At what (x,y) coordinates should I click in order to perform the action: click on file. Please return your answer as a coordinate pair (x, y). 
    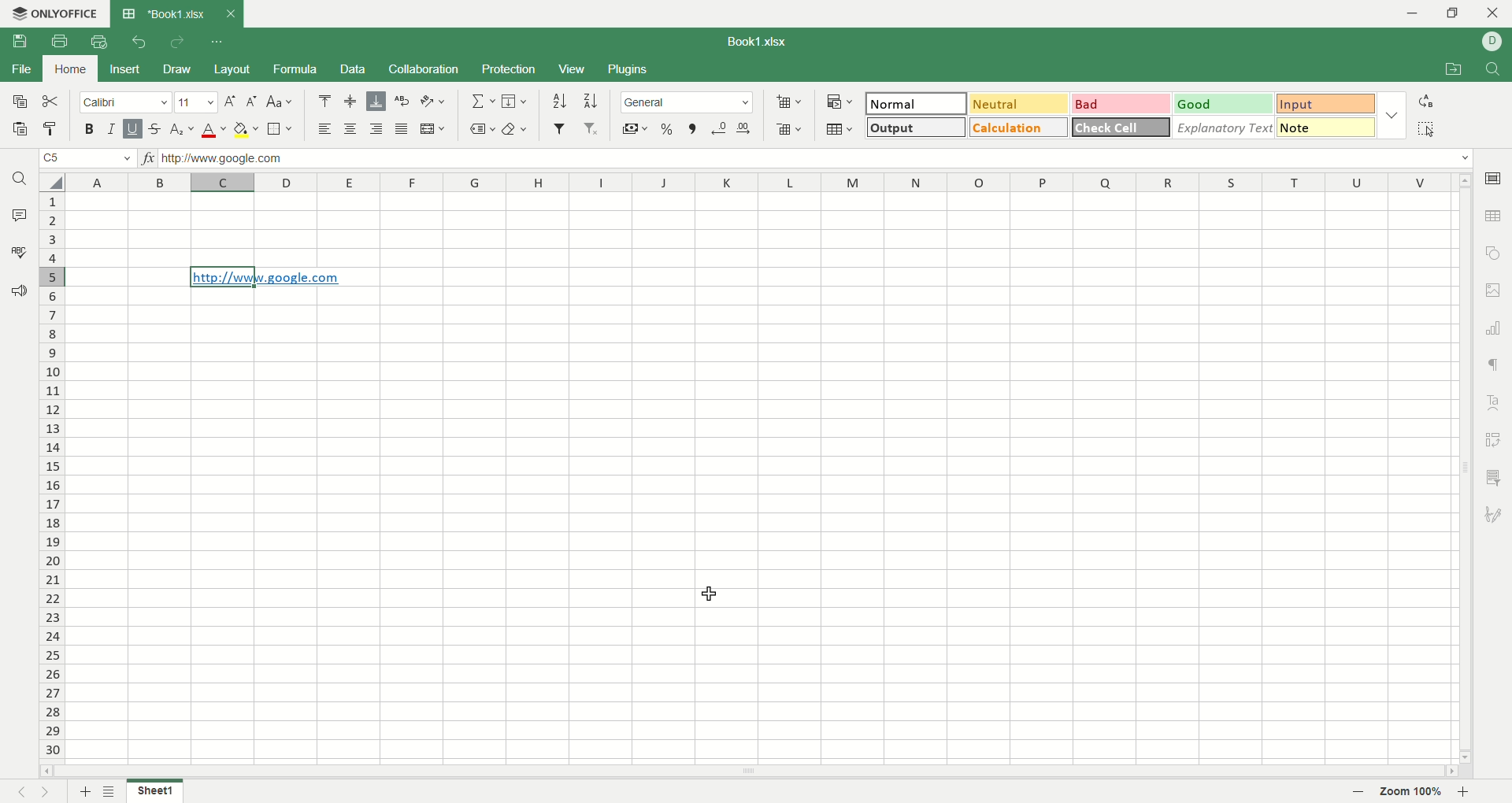
    Looking at the image, I should click on (20, 71).